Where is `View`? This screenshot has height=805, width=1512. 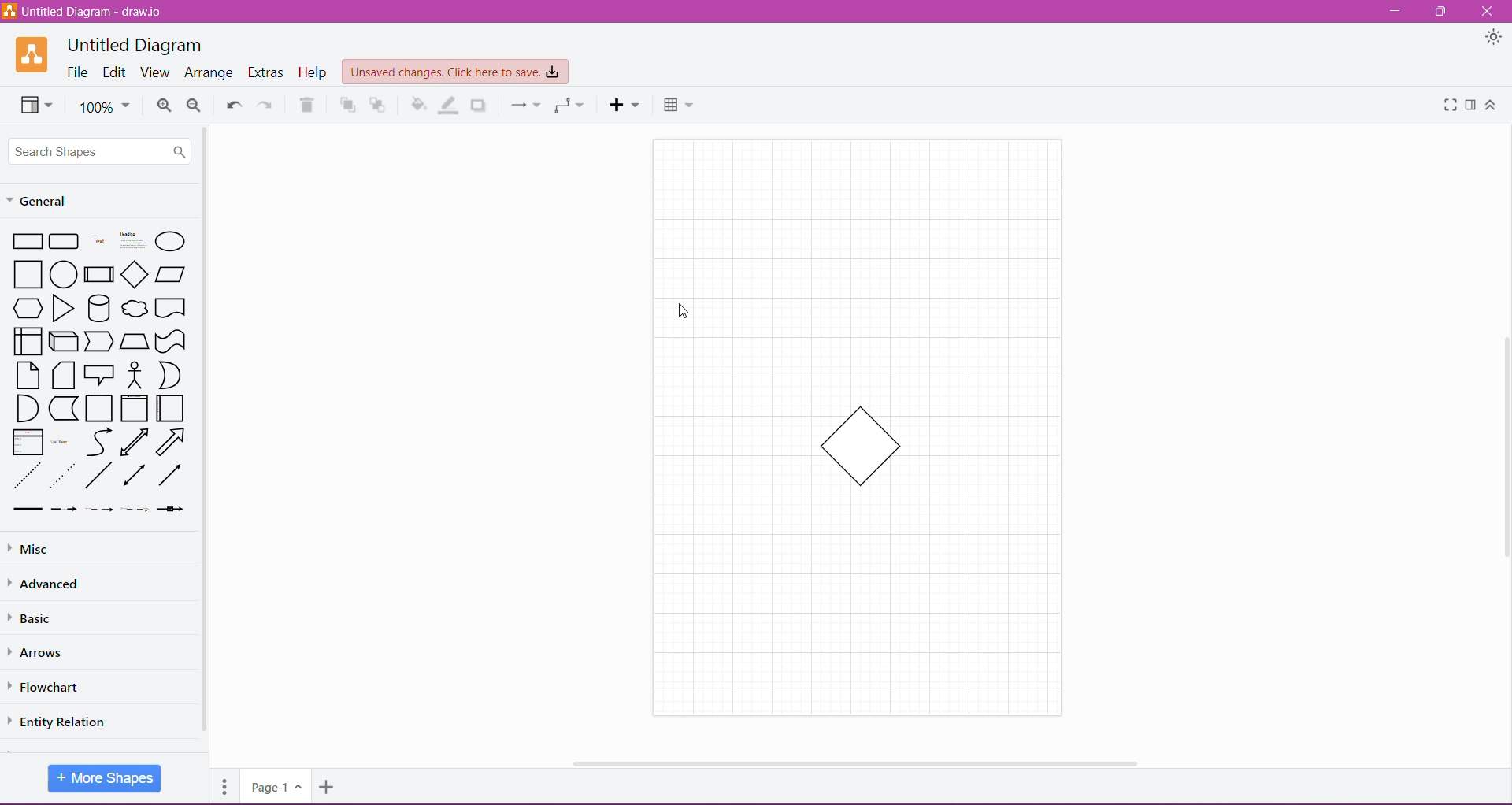 View is located at coordinates (36, 105).